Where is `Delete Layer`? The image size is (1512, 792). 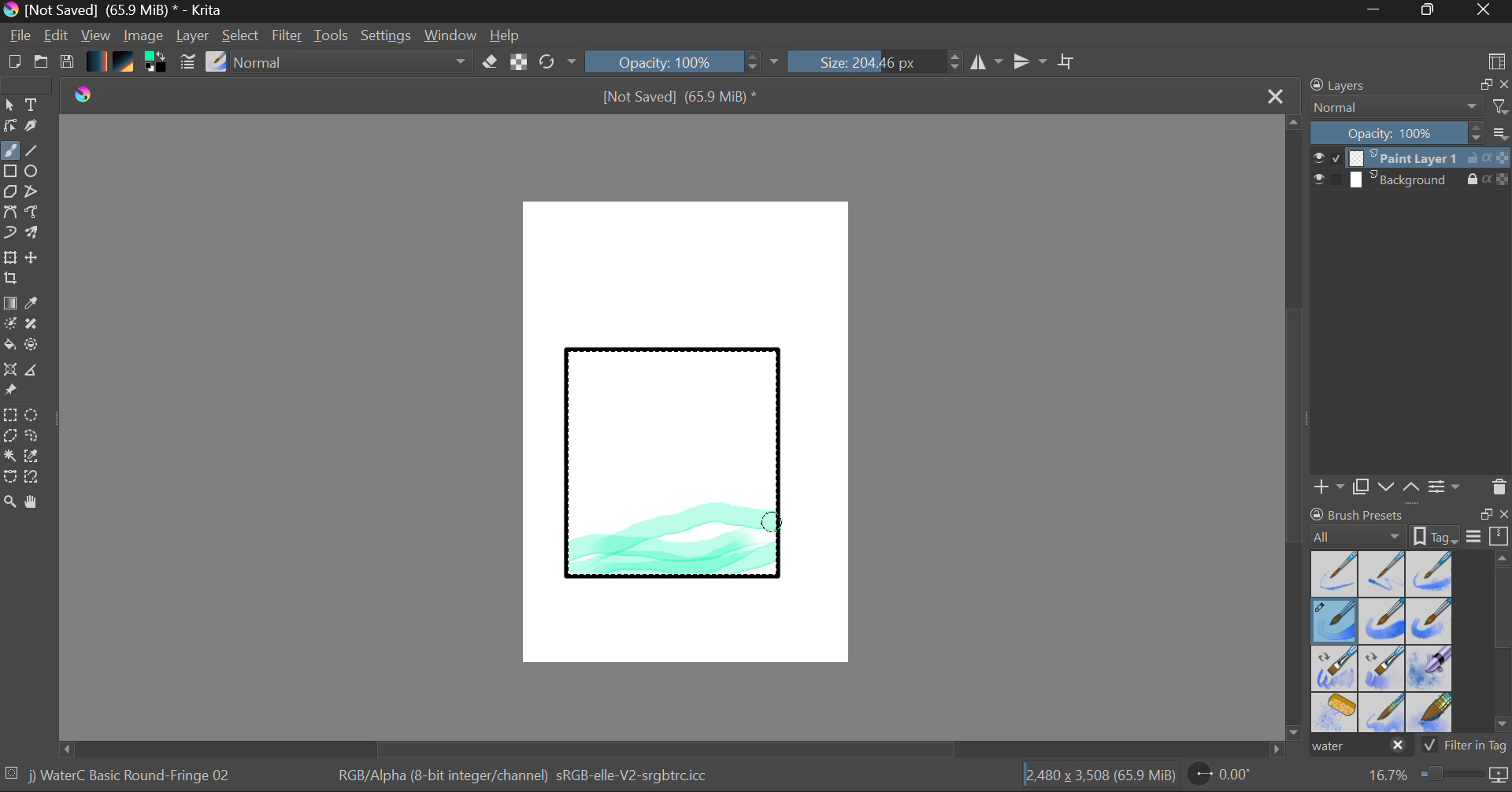
Delete Layer is located at coordinates (1499, 487).